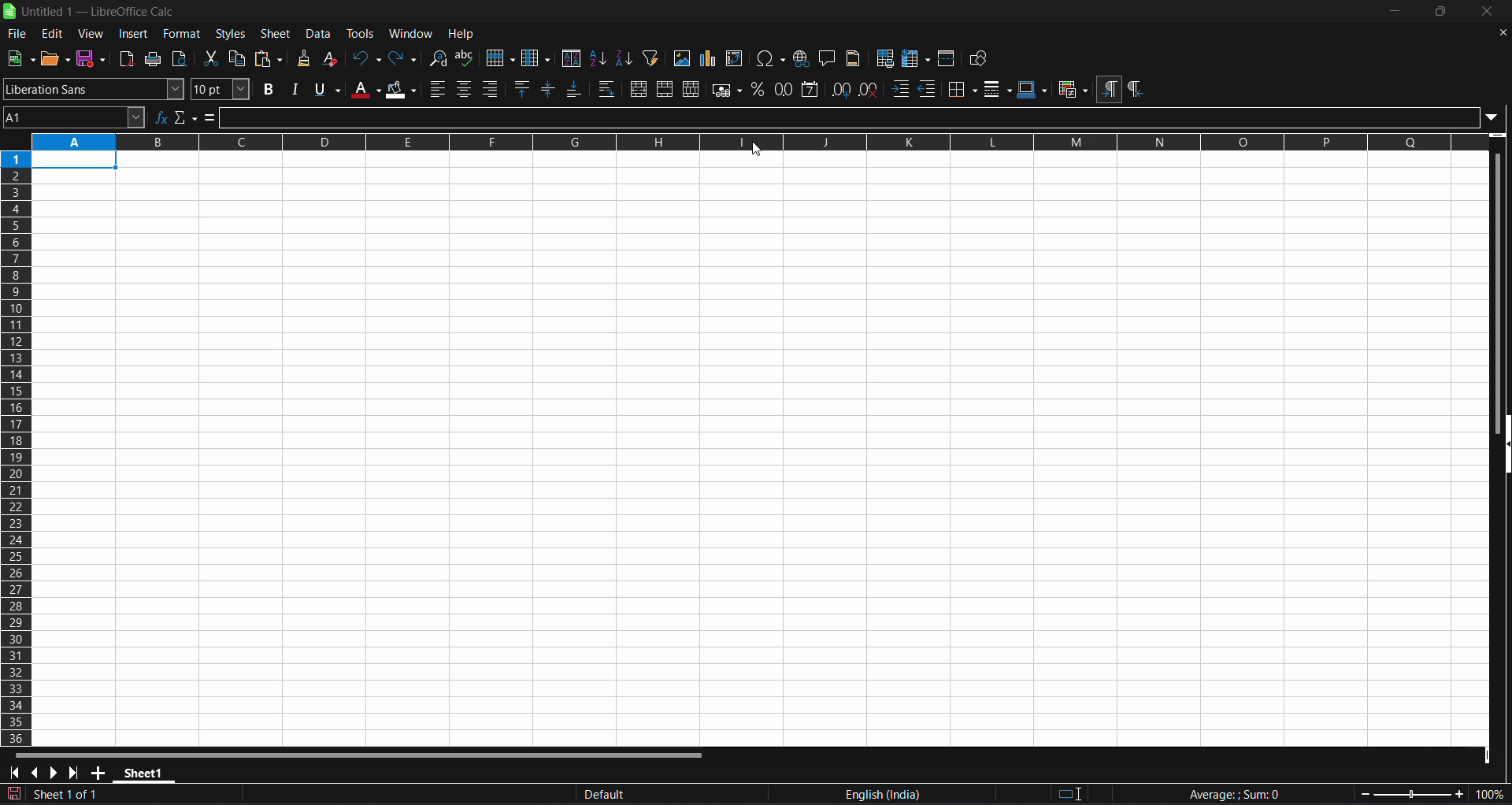 The height and width of the screenshot is (805, 1512). What do you see at coordinates (21, 57) in the screenshot?
I see `new` at bounding box center [21, 57].